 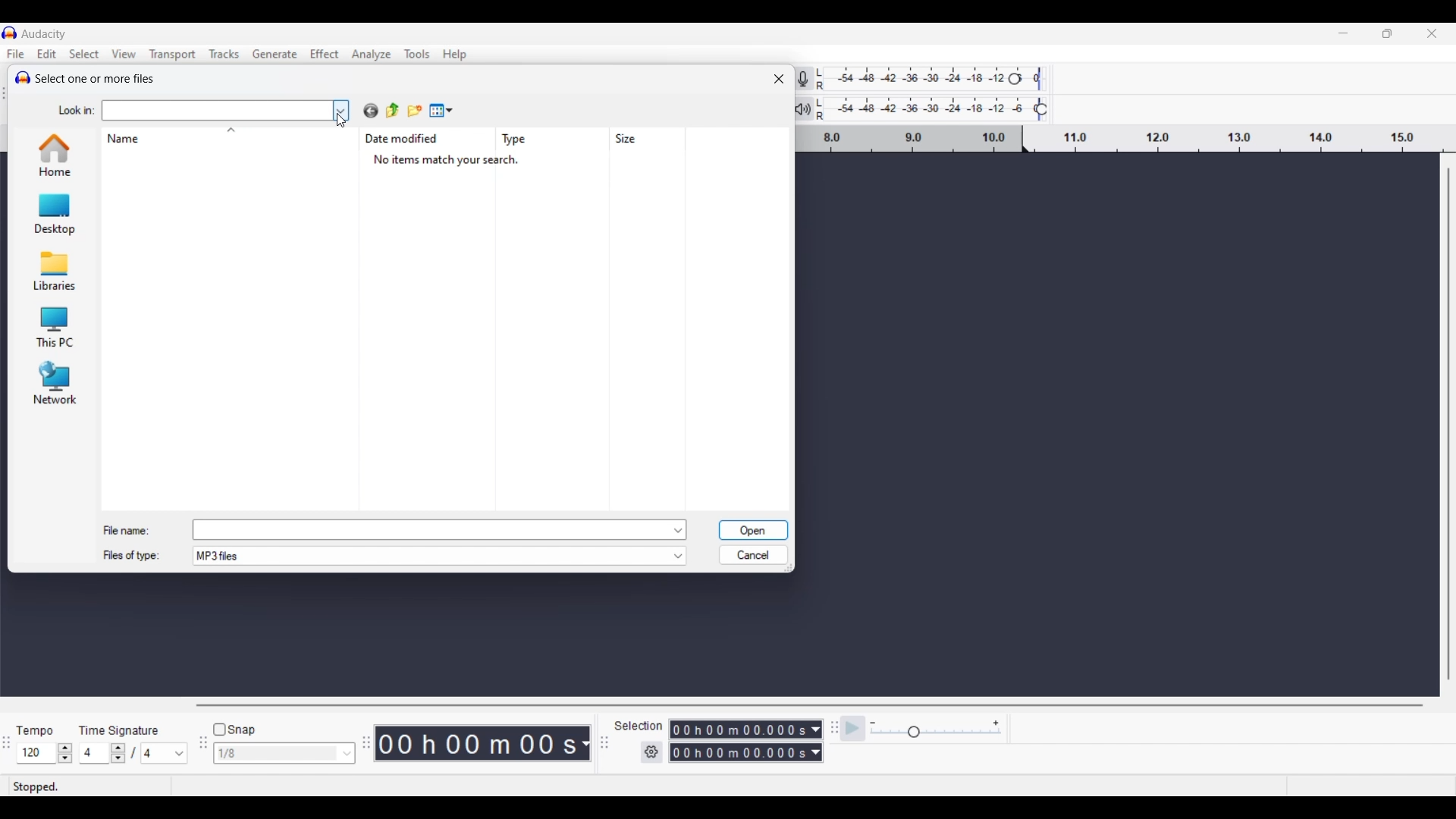 I want to click on Help menu, so click(x=455, y=55).